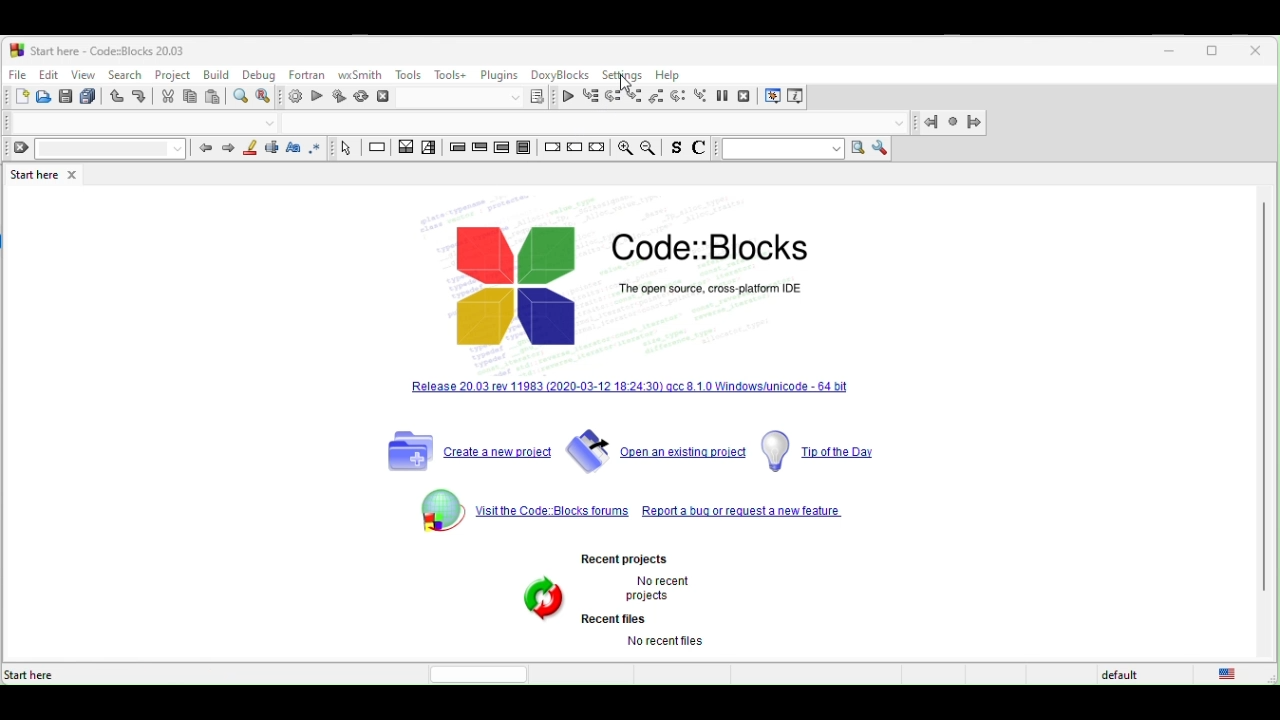 The height and width of the screenshot is (720, 1280). Describe the element at coordinates (782, 150) in the screenshot. I see `text to search` at that location.